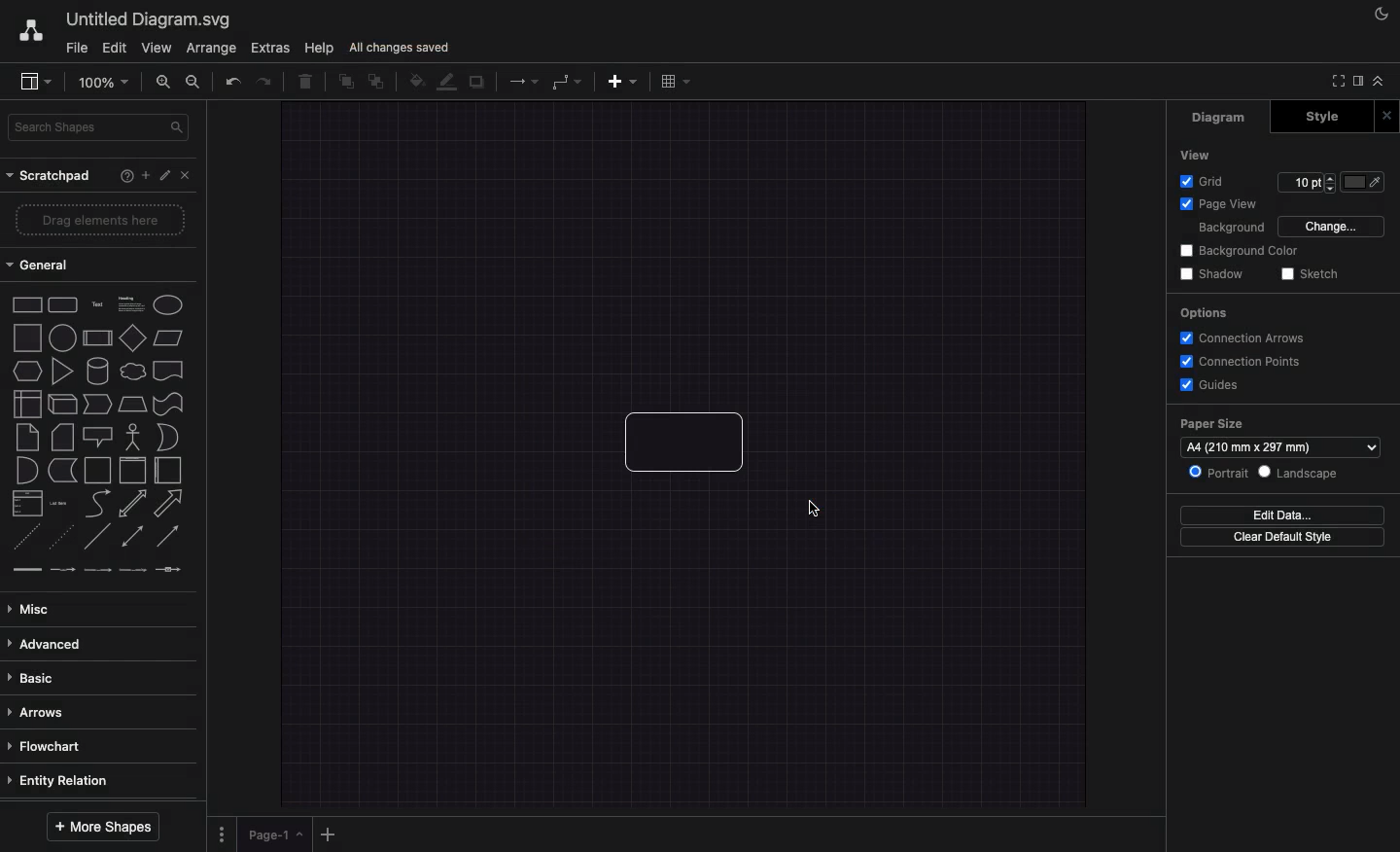 Image resolution: width=1400 pixels, height=852 pixels. What do you see at coordinates (164, 175) in the screenshot?
I see `Edit` at bounding box center [164, 175].